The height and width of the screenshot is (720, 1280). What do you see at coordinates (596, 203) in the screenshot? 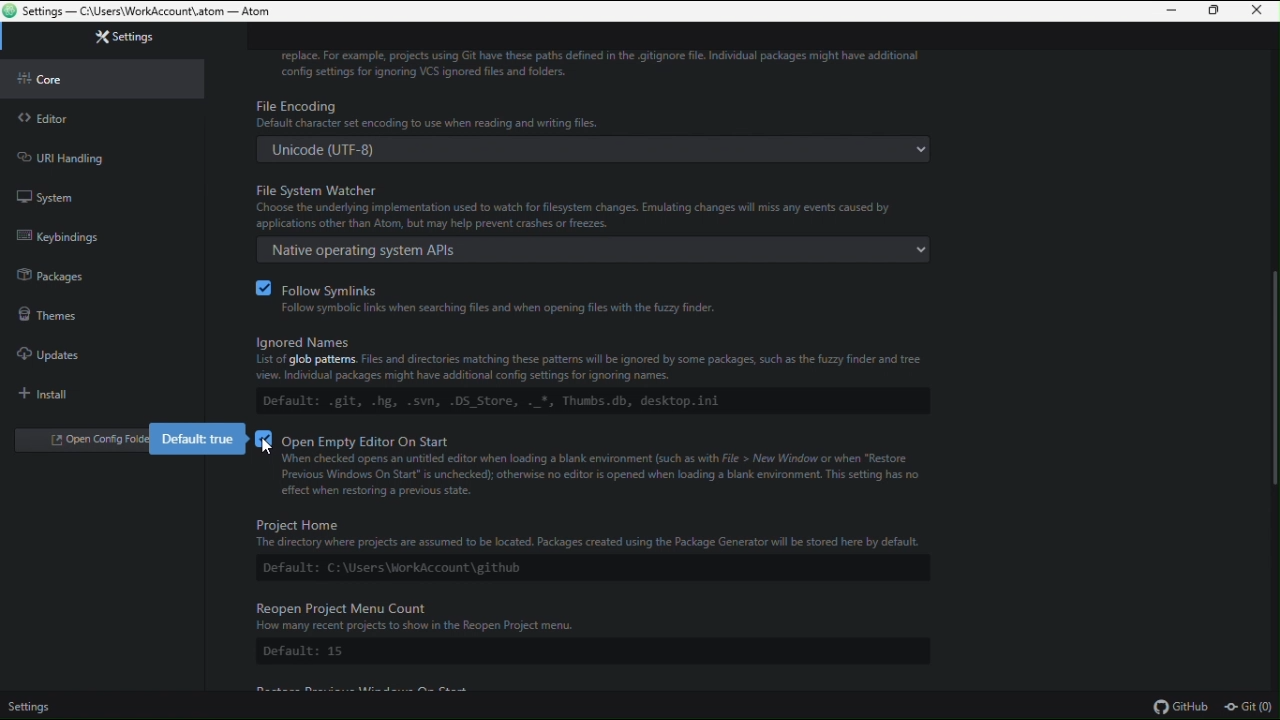
I see `file system watcher` at bounding box center [596, 203].